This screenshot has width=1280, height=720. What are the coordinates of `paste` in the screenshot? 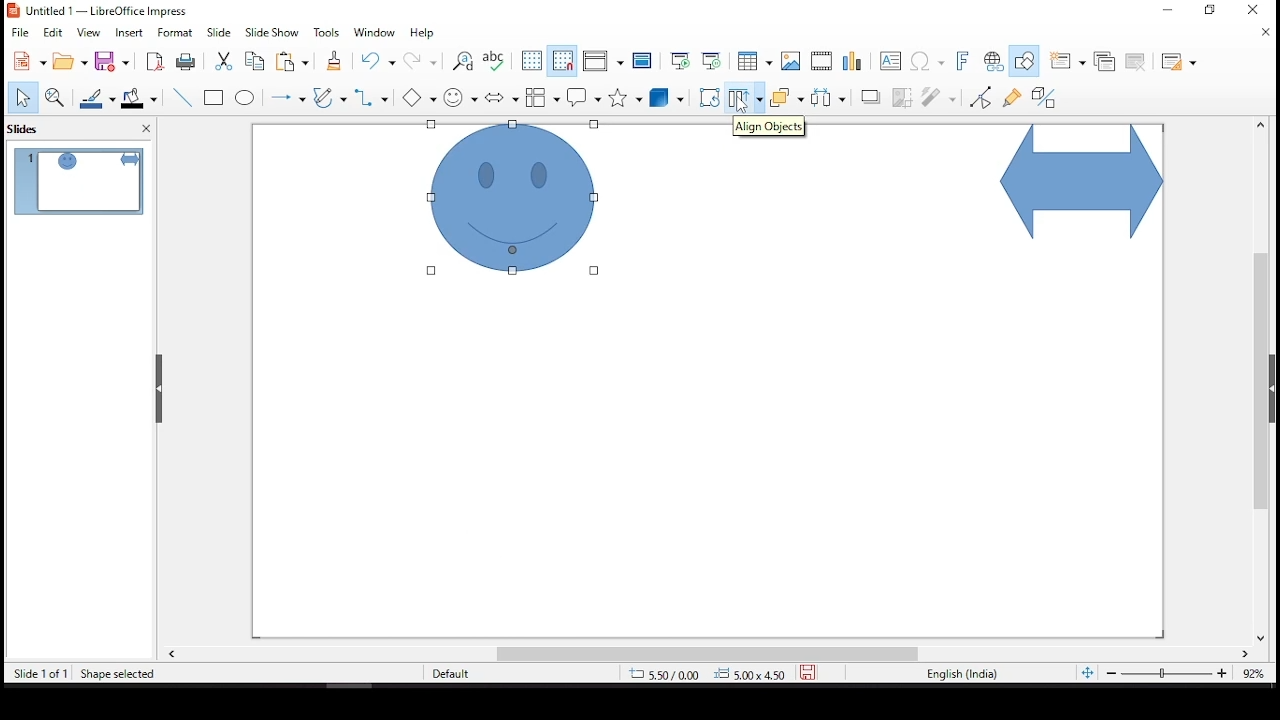 It's located at (296, 61).